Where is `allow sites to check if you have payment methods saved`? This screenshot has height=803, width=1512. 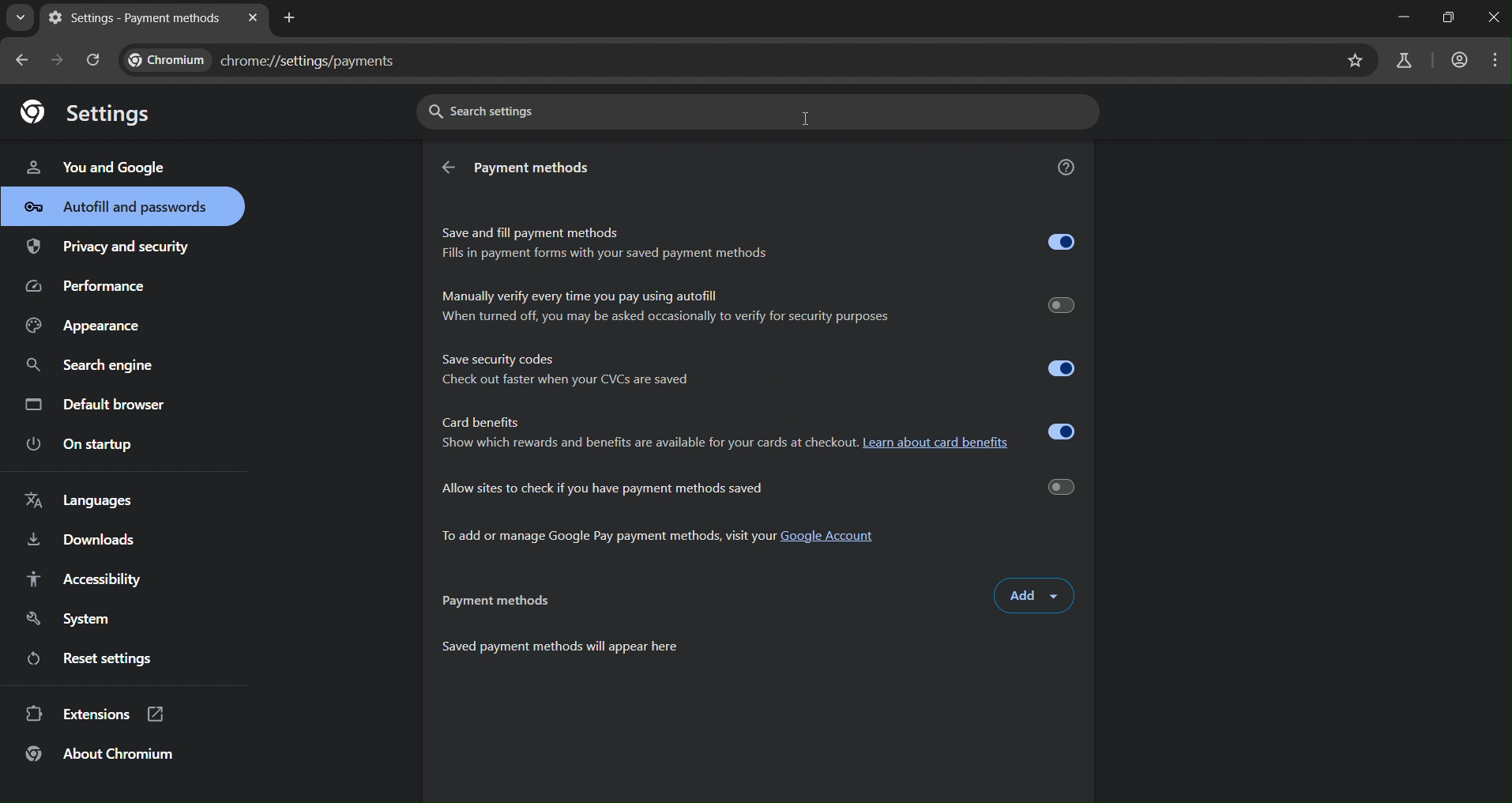
allow sites to check if you have payment methods saved is located at coordinates (757, 490).